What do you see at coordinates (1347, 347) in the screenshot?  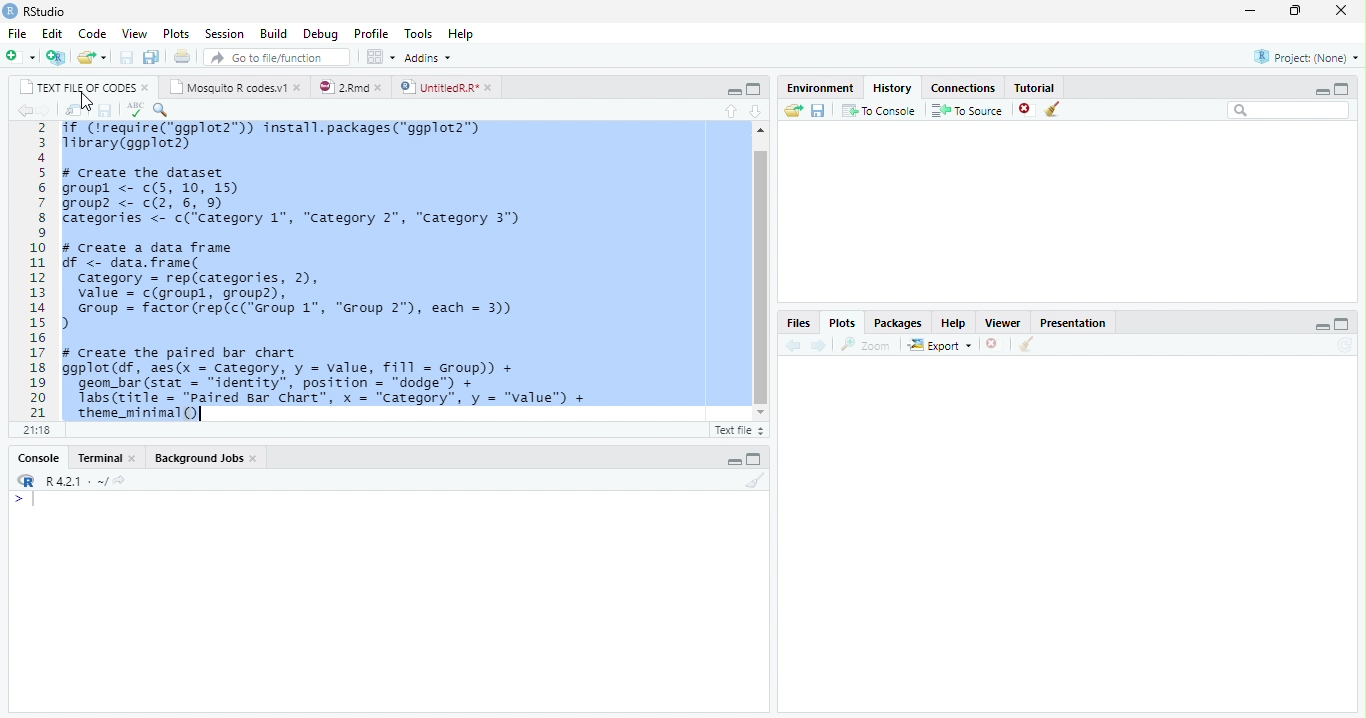 I see `sync` at bounding box center [1347, 347].